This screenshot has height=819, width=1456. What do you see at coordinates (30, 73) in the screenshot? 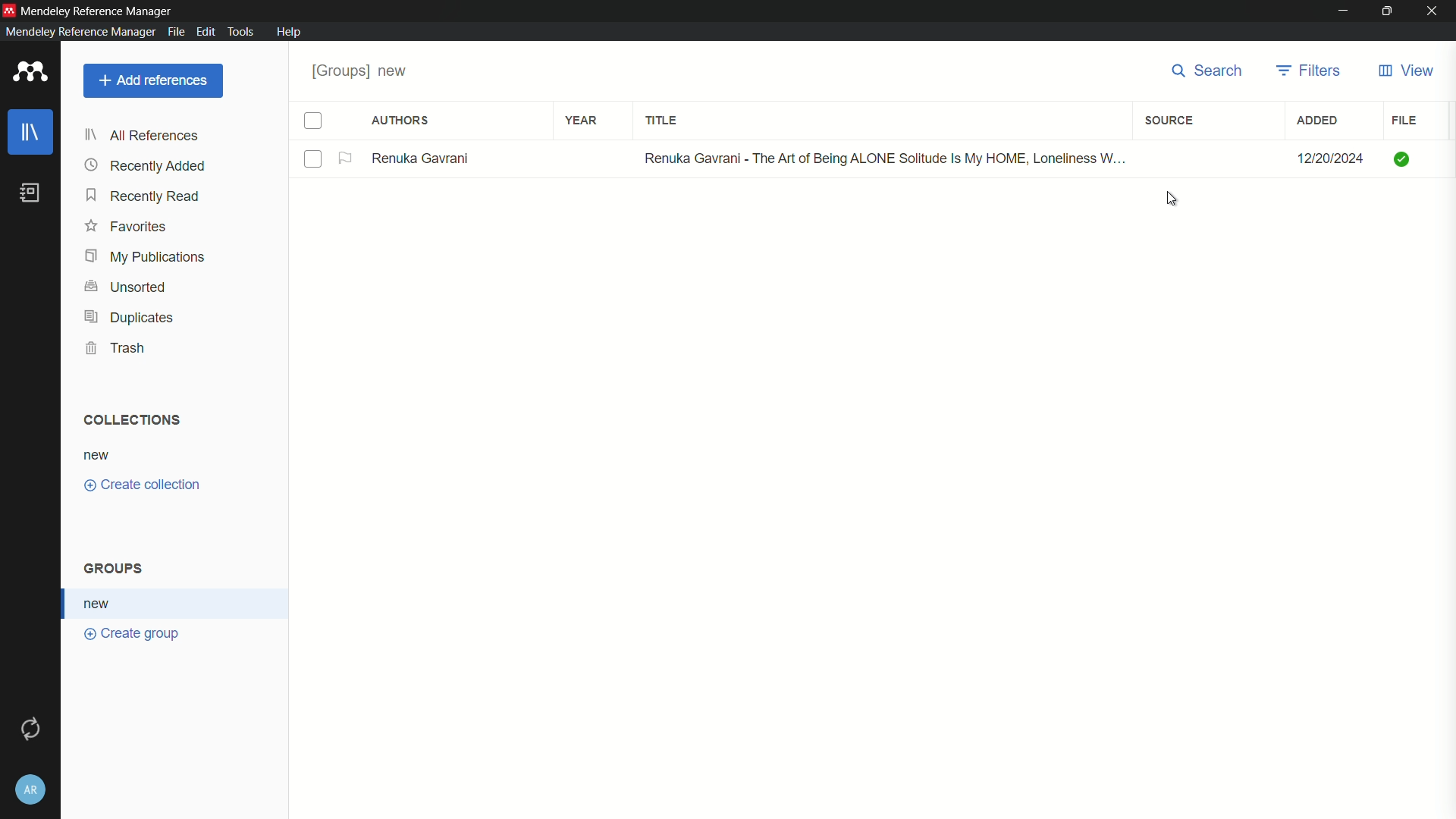
I see `app icon` at bounding box center [30, 73].